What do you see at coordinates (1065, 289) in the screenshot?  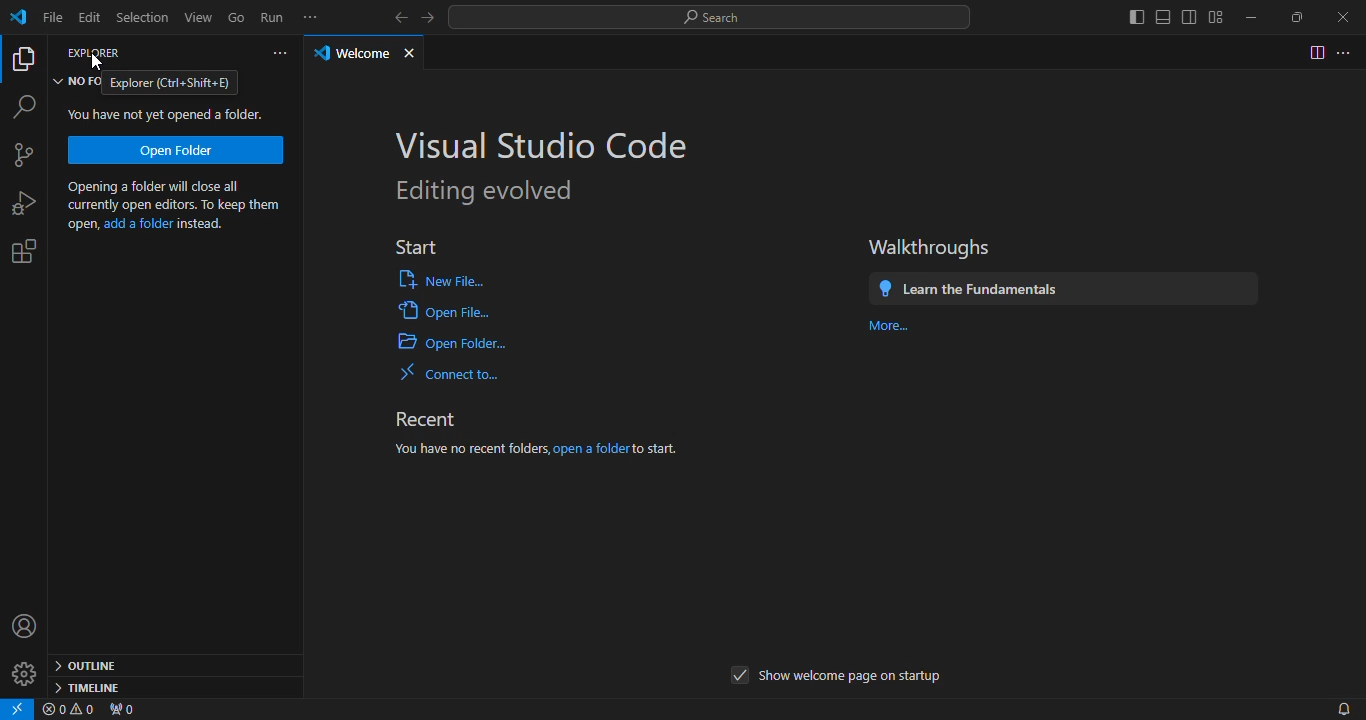 I see `Learn the Fundamentals` at bounding box center [1065, 289].